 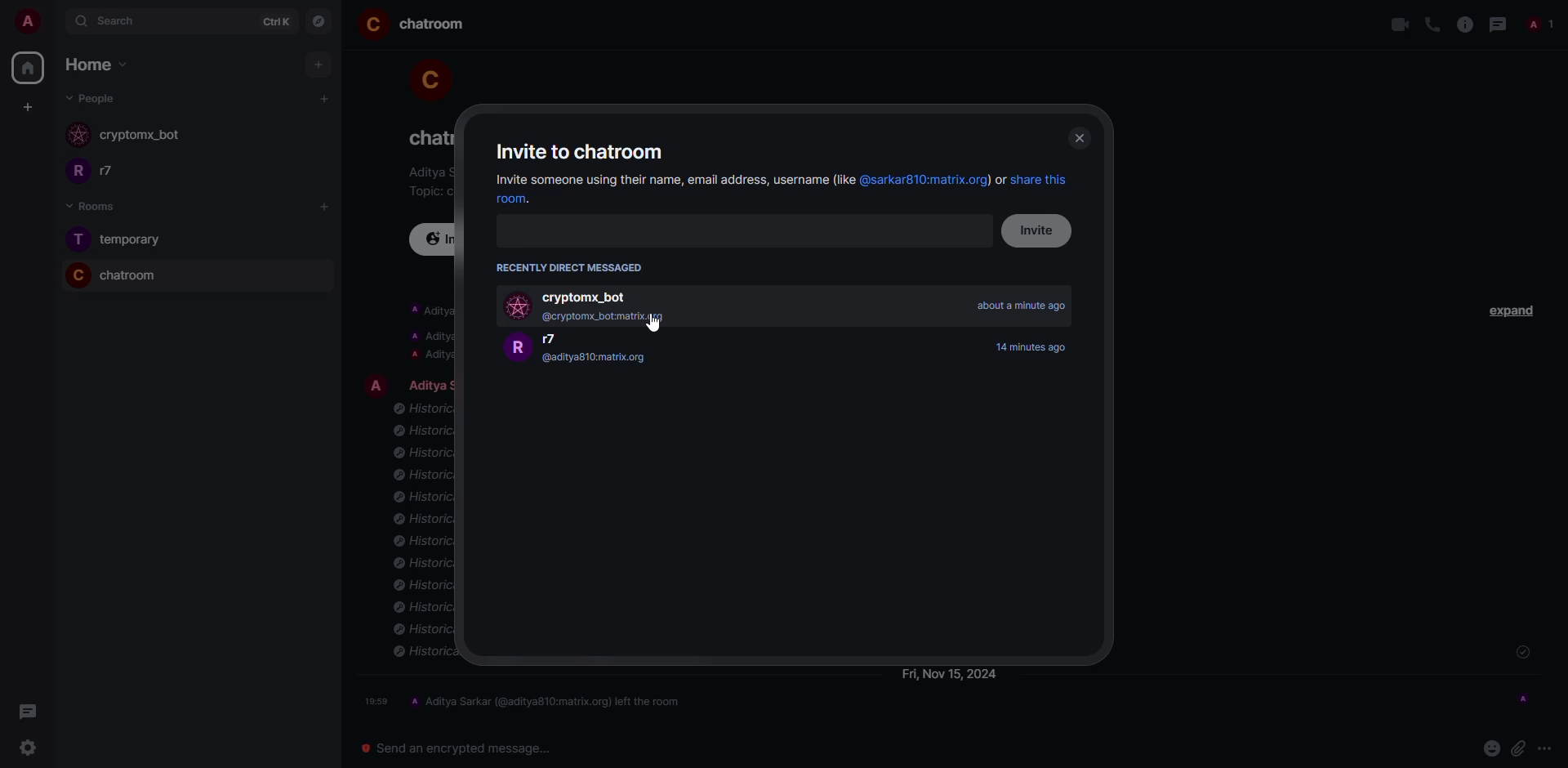 What do you see at coordinates (436, 239) in the screenshot?
I see `invite to this room` at bounding box center [436, 239].